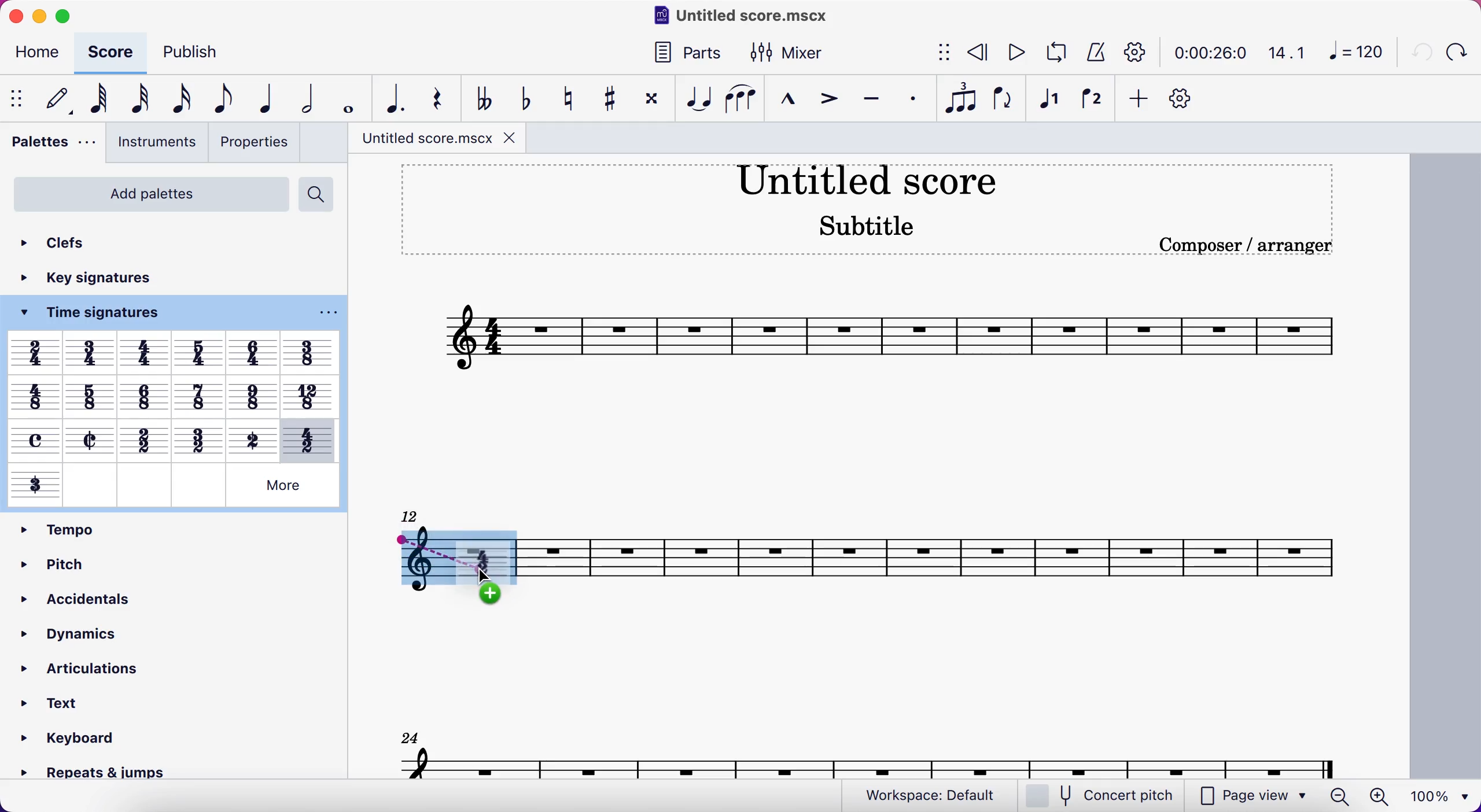 This screenshot has height=812, width=1481. What do you see at coordinates (256, 142) in the screenshot?
I see `properties` at bounding box center [256, 142].